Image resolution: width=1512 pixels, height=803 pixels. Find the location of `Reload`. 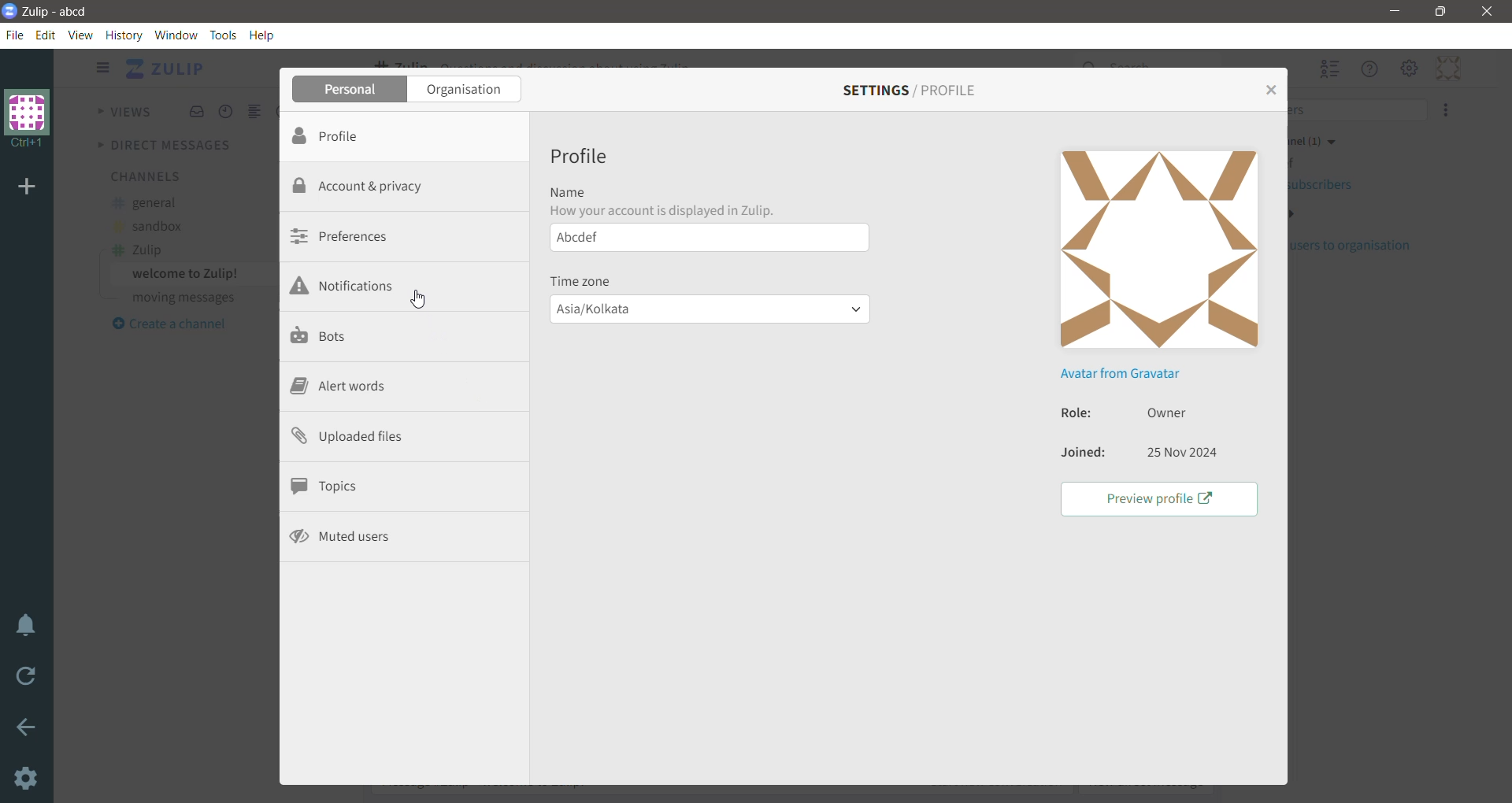

Reload is located at coordinates (28, 680).